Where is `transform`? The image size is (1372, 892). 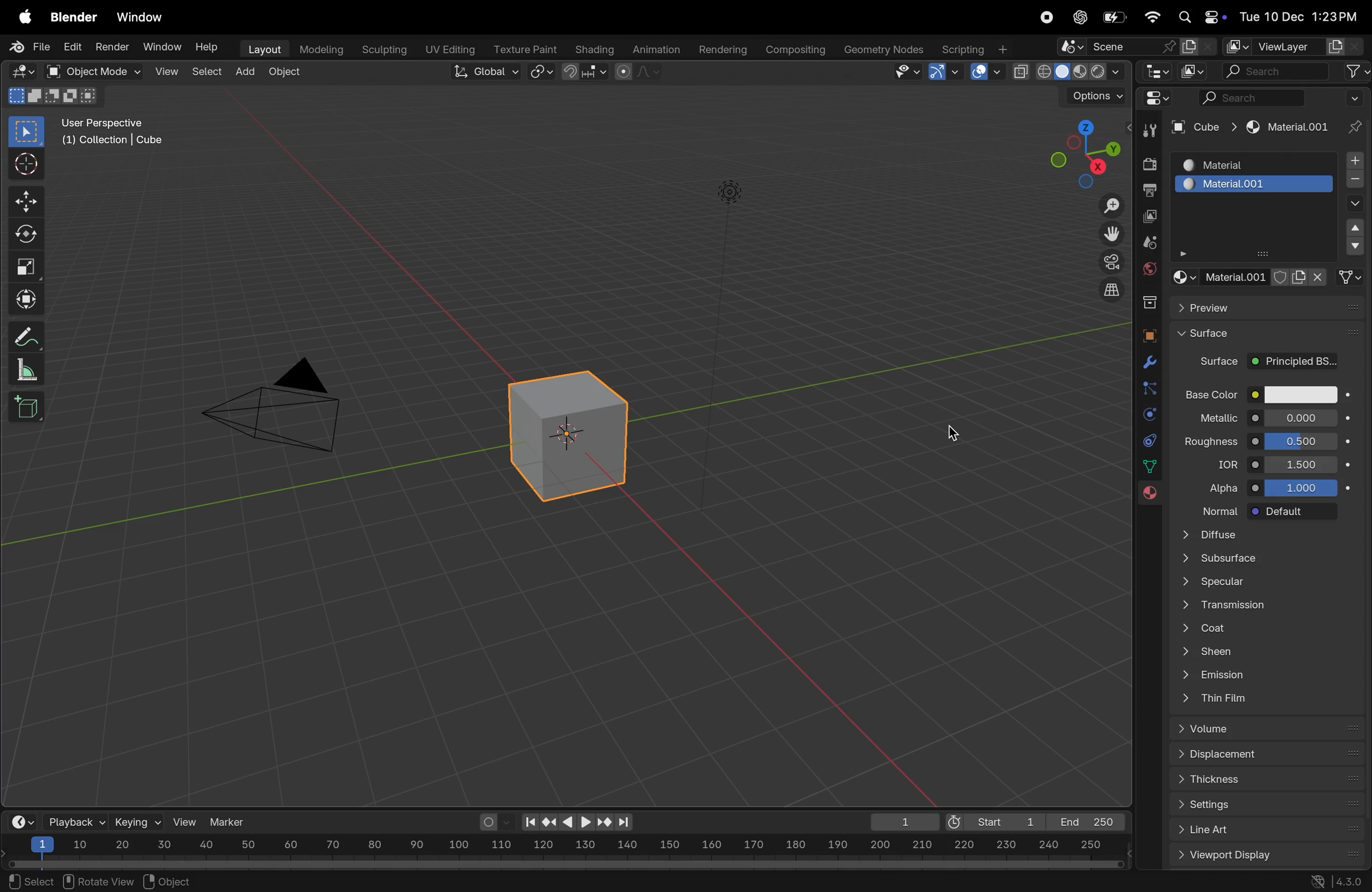 transform is located at coordinates (24, 297).